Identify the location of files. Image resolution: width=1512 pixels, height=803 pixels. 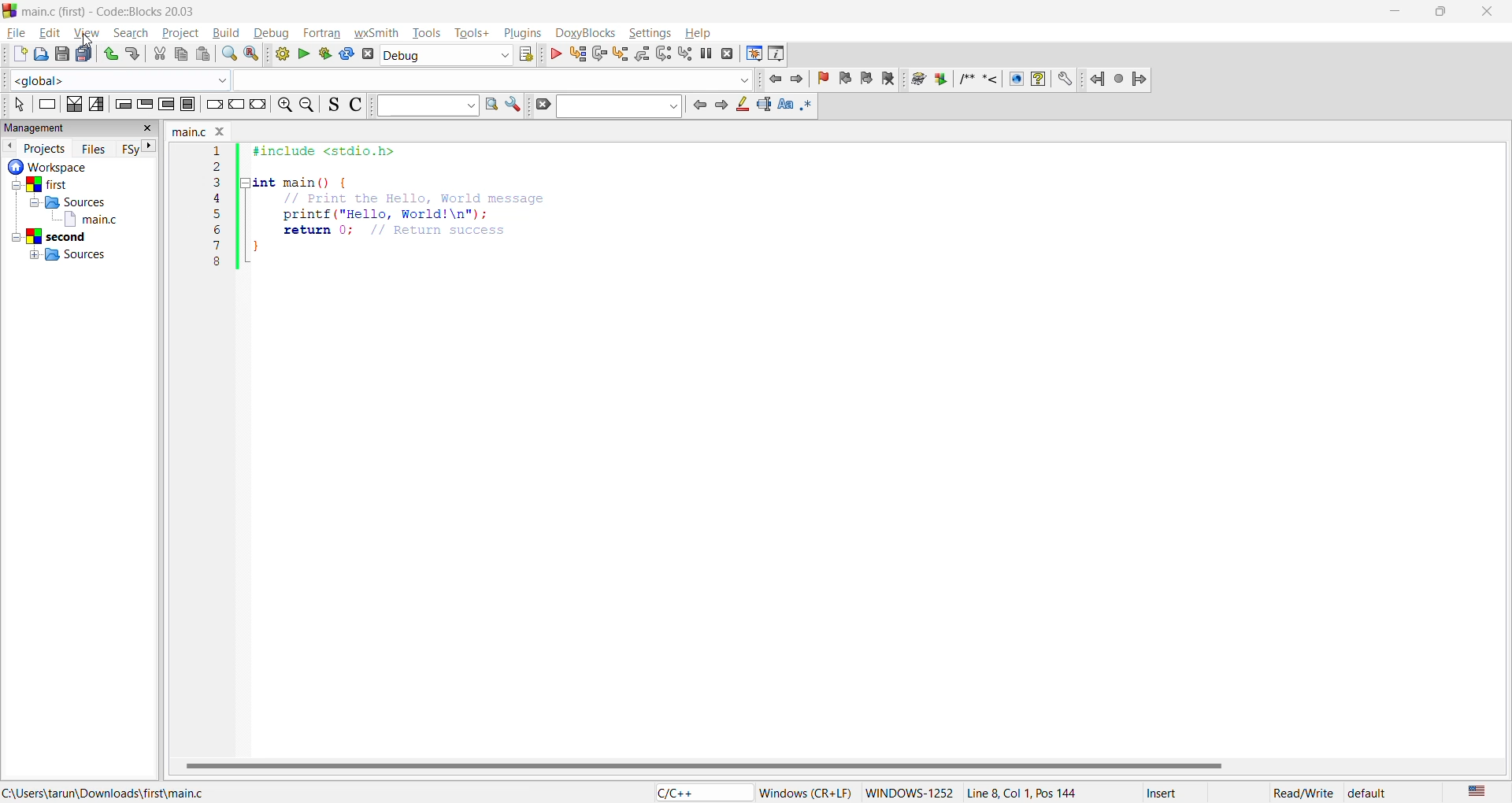
(96, 146).